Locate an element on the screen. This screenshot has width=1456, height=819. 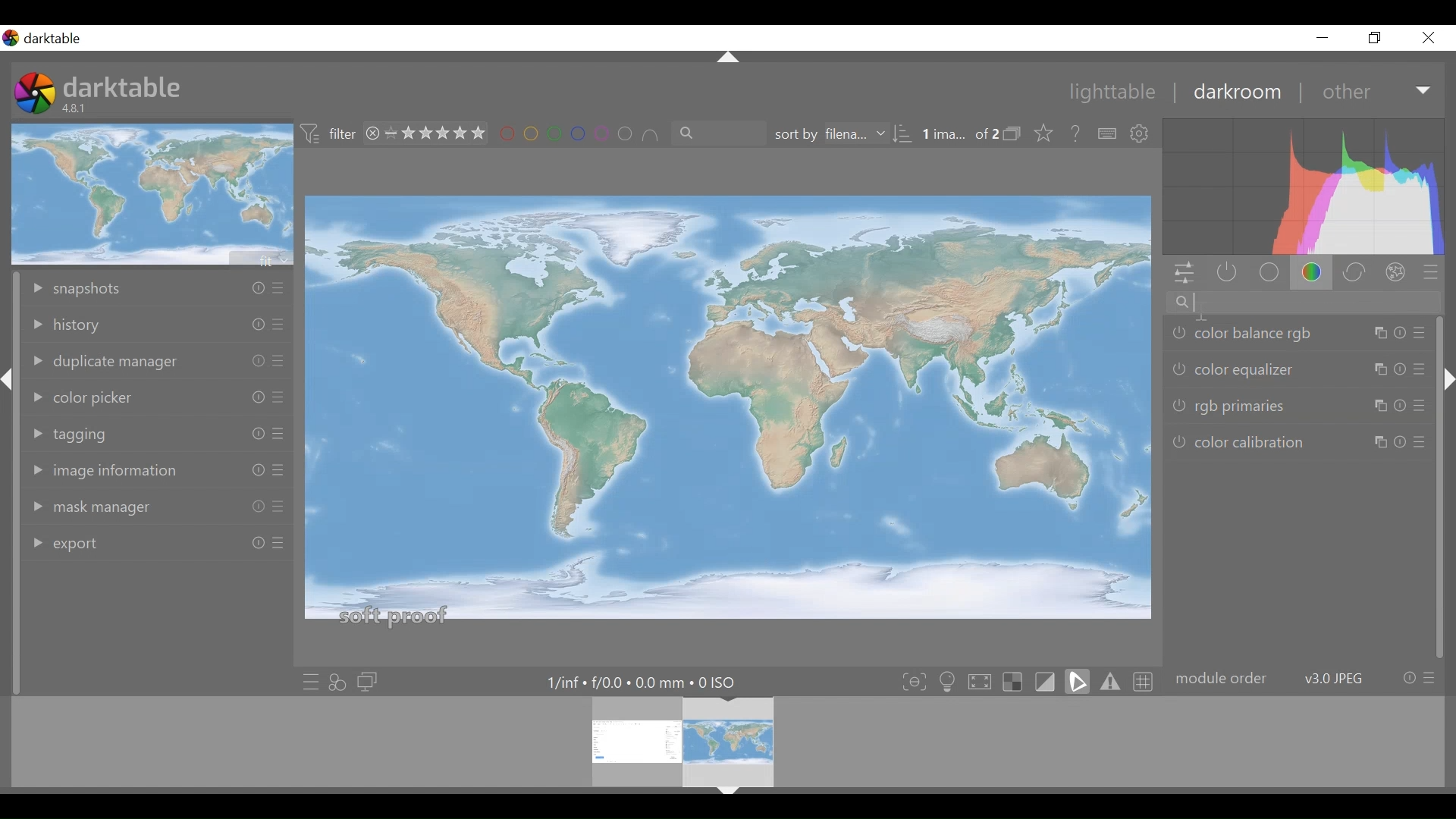
duplicate manager is located at coordinates (106, 361).